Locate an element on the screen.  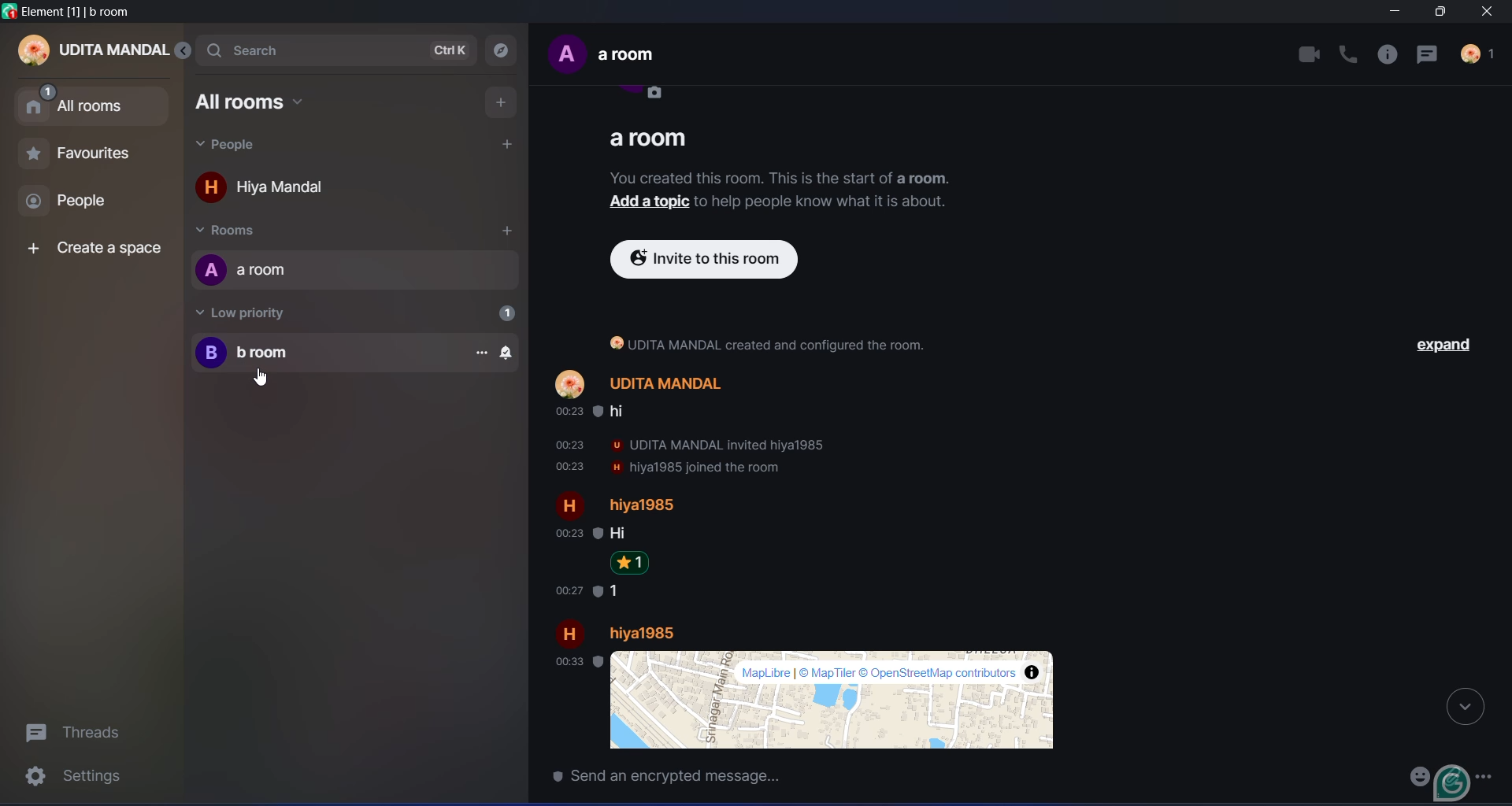
 UDITA MANDAL0023 ® hi00:23 uv UDITA MANDAL invited hiya198500:23 H hiya1985 joined the roomH hiya19850023 @ Hi*10027 @ 1H hiya1985 is located at coordinates (818, 505).